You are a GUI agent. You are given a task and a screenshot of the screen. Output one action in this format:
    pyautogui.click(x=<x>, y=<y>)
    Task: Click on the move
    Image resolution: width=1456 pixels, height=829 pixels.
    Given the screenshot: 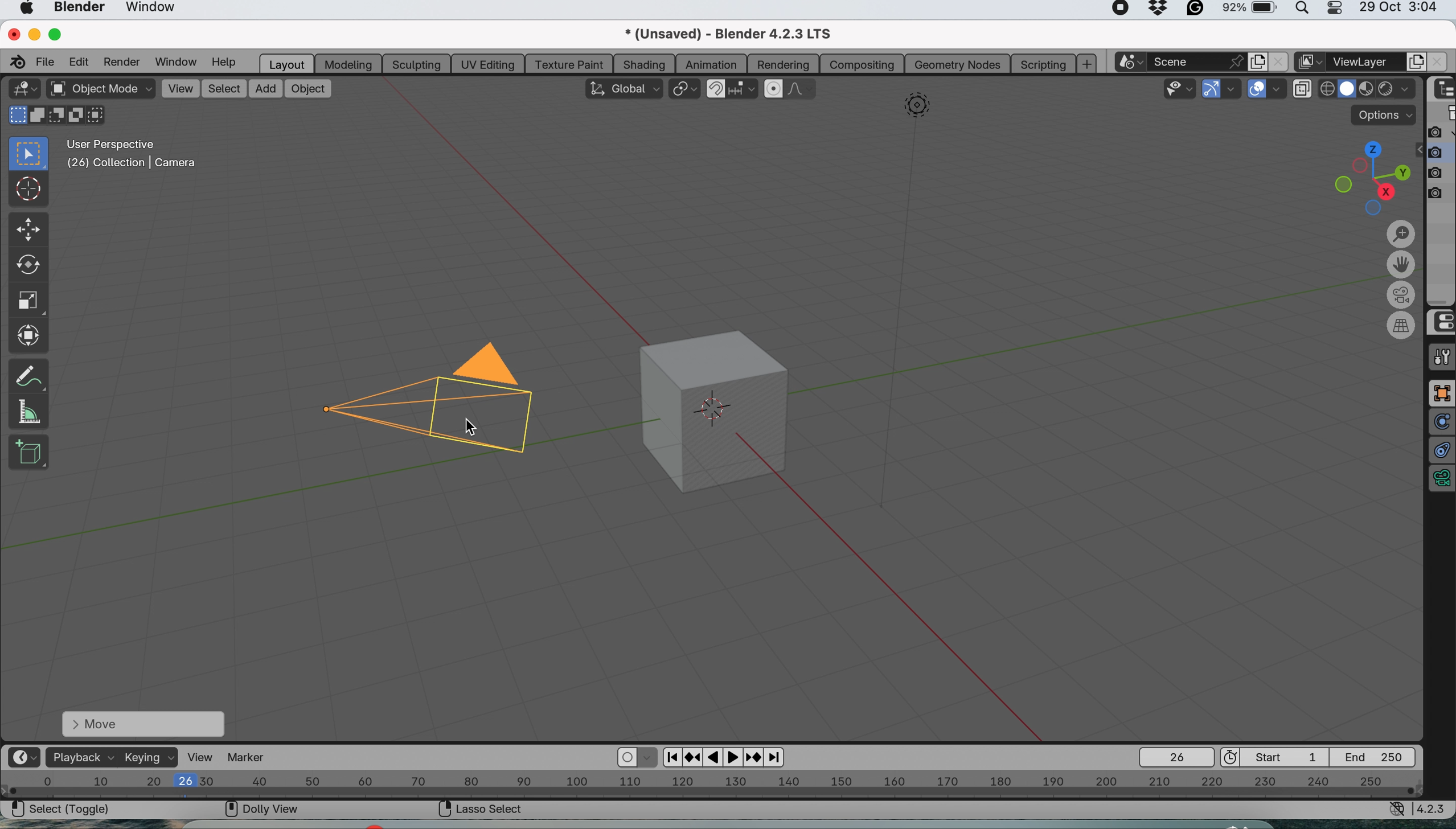 What is the action you would take?
    pyautogui.click(x=142, y=723)
    